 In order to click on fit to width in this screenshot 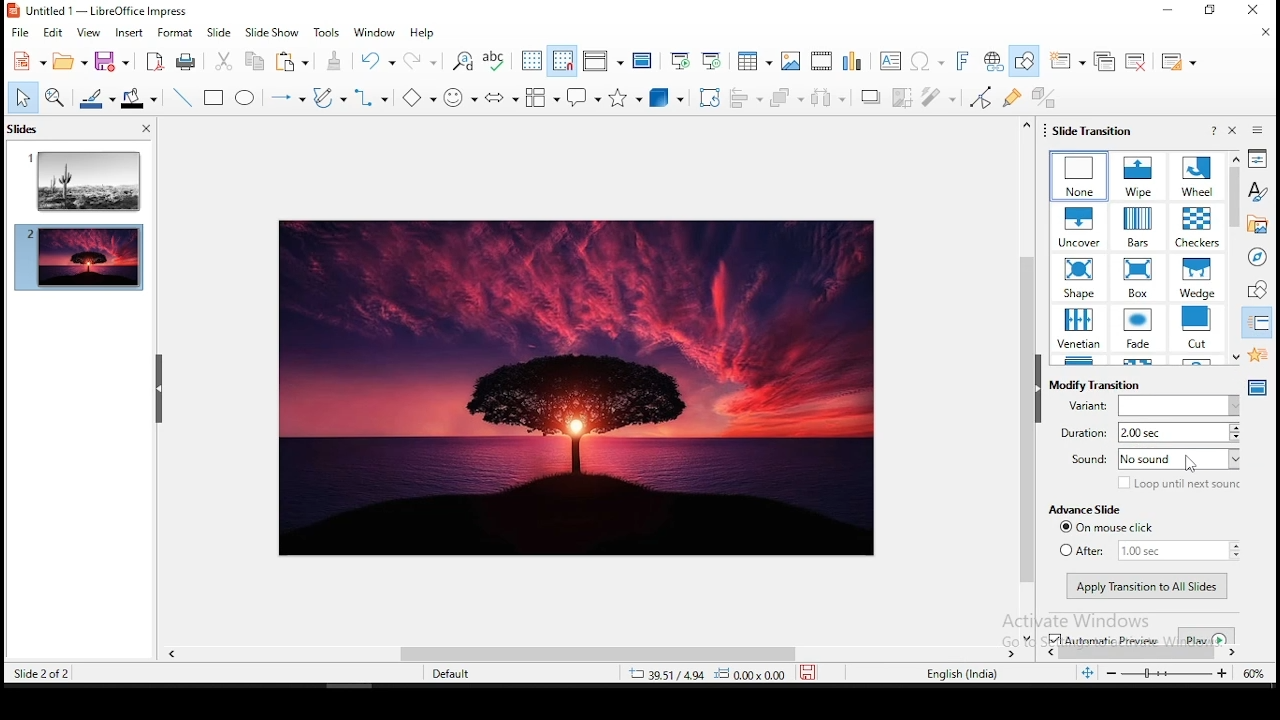, I will do `click(1086, 676)`.